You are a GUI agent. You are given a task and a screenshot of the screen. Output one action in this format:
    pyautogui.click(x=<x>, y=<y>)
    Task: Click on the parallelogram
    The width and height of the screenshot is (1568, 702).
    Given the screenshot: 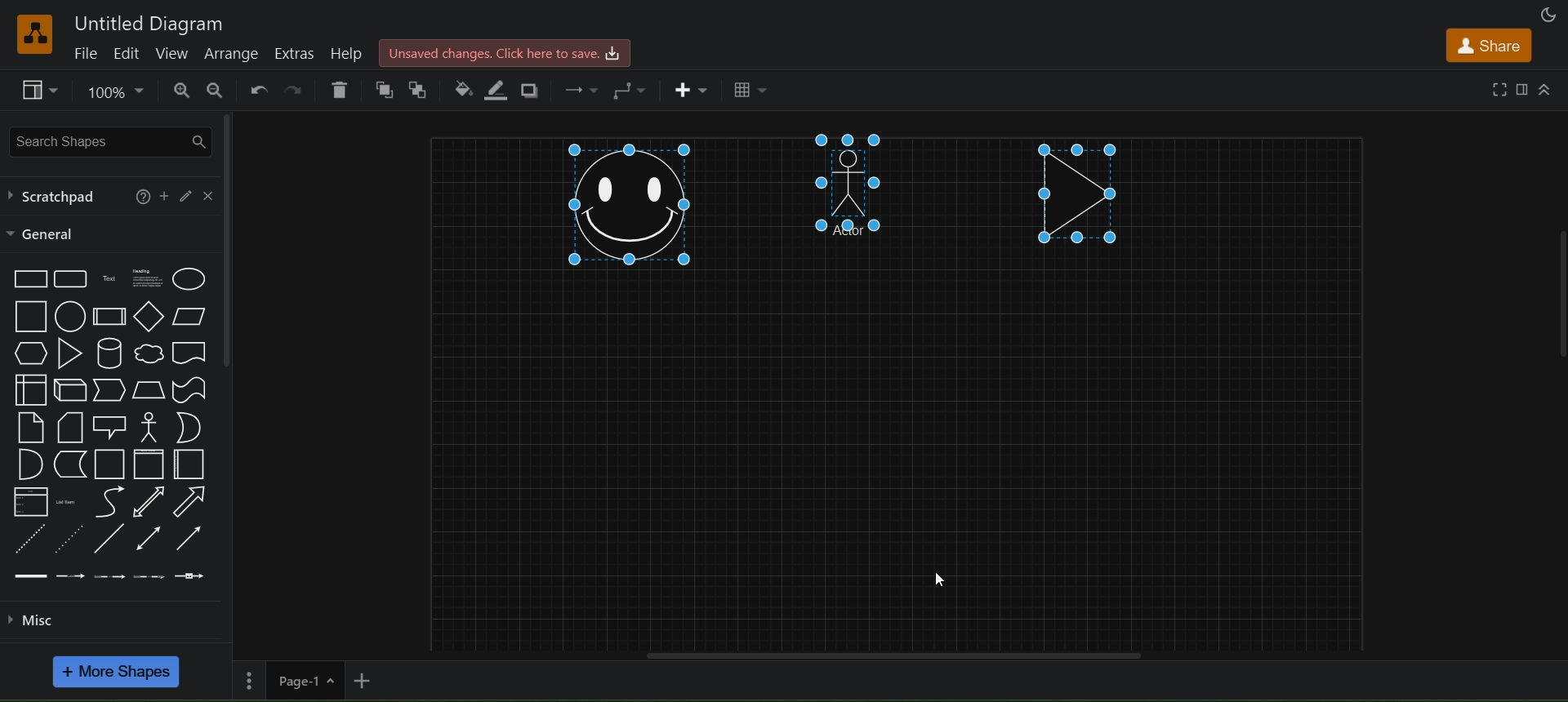 What is the action you would take?
    pyautogui.click(x=192, y=318)
    